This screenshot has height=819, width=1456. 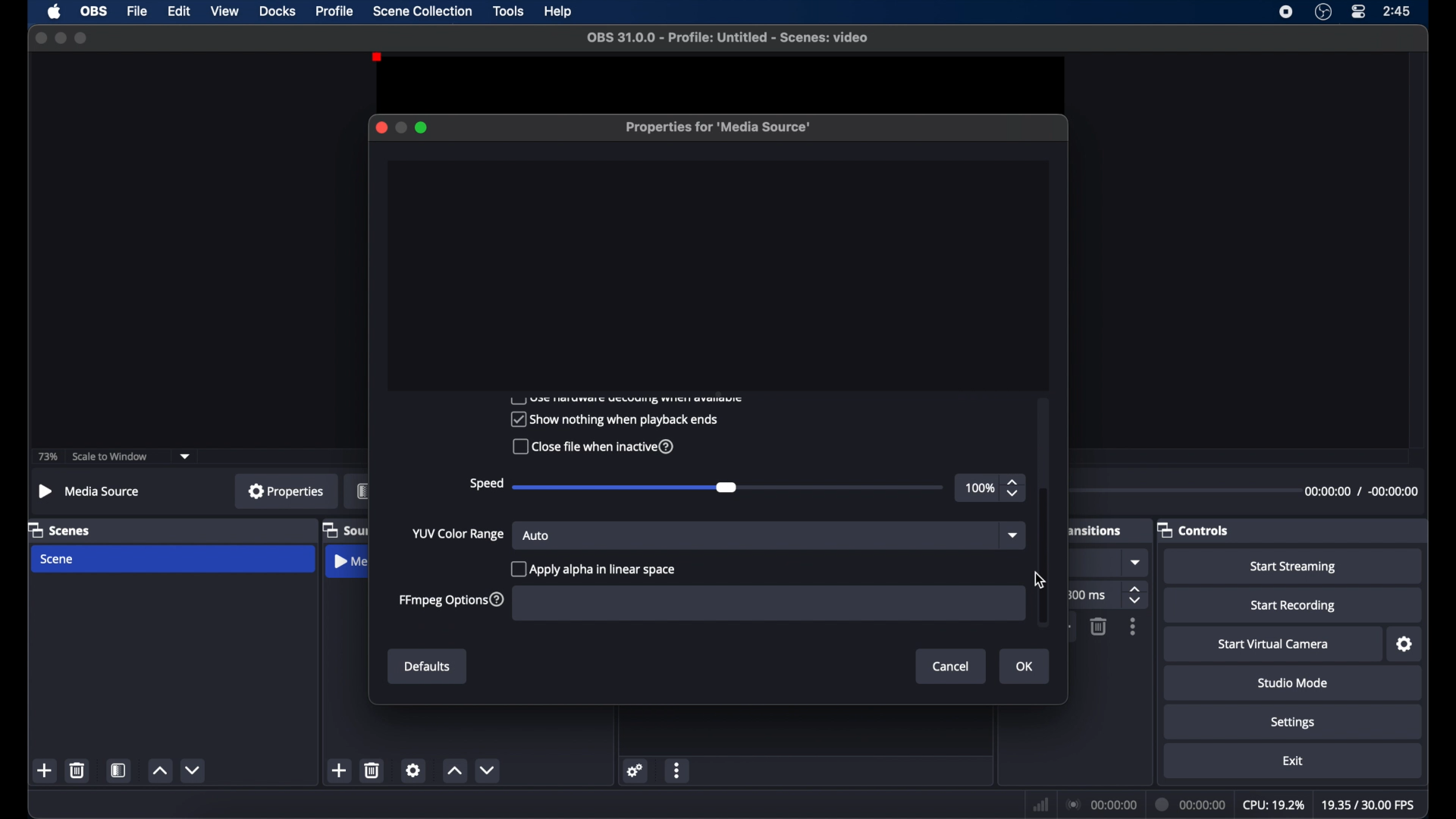 What do you see at coordinates (629, 487) in the screenshot?
I see `slider` at bounding box center [629, 487].